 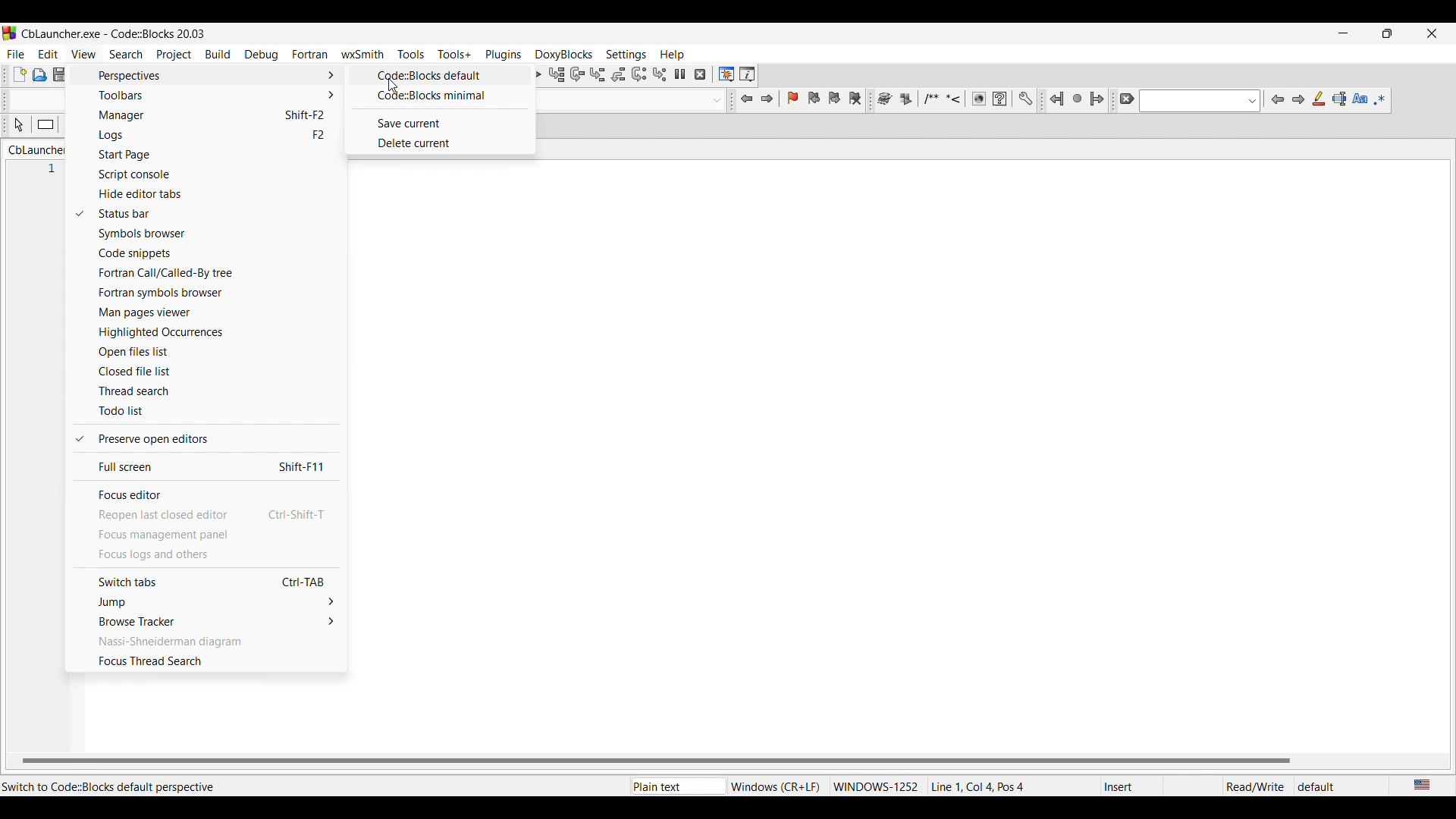 I want to click on Script console, so click(x=220, y=175).